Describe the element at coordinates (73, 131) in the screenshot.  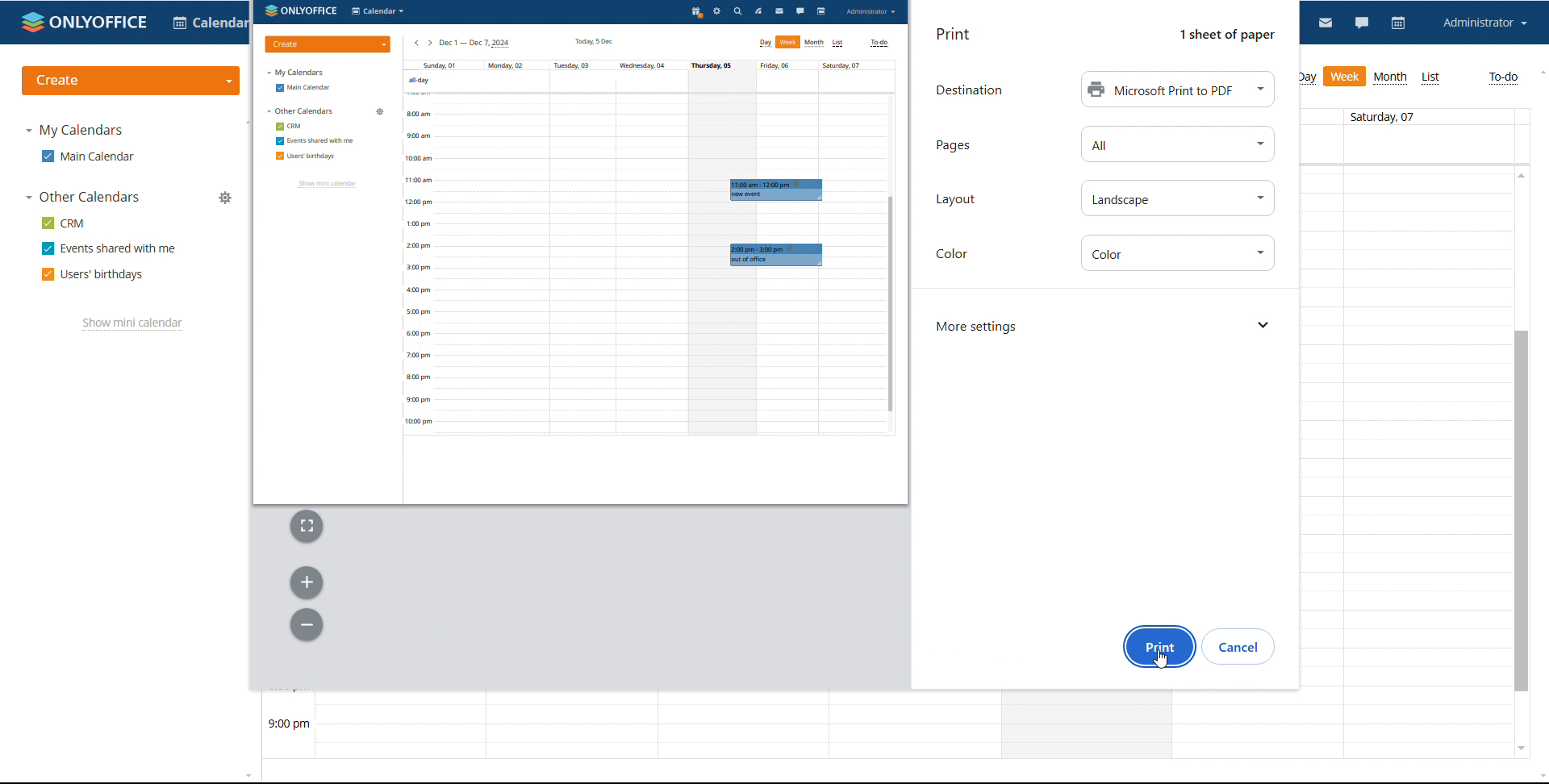
I see `my calendars` at that location.